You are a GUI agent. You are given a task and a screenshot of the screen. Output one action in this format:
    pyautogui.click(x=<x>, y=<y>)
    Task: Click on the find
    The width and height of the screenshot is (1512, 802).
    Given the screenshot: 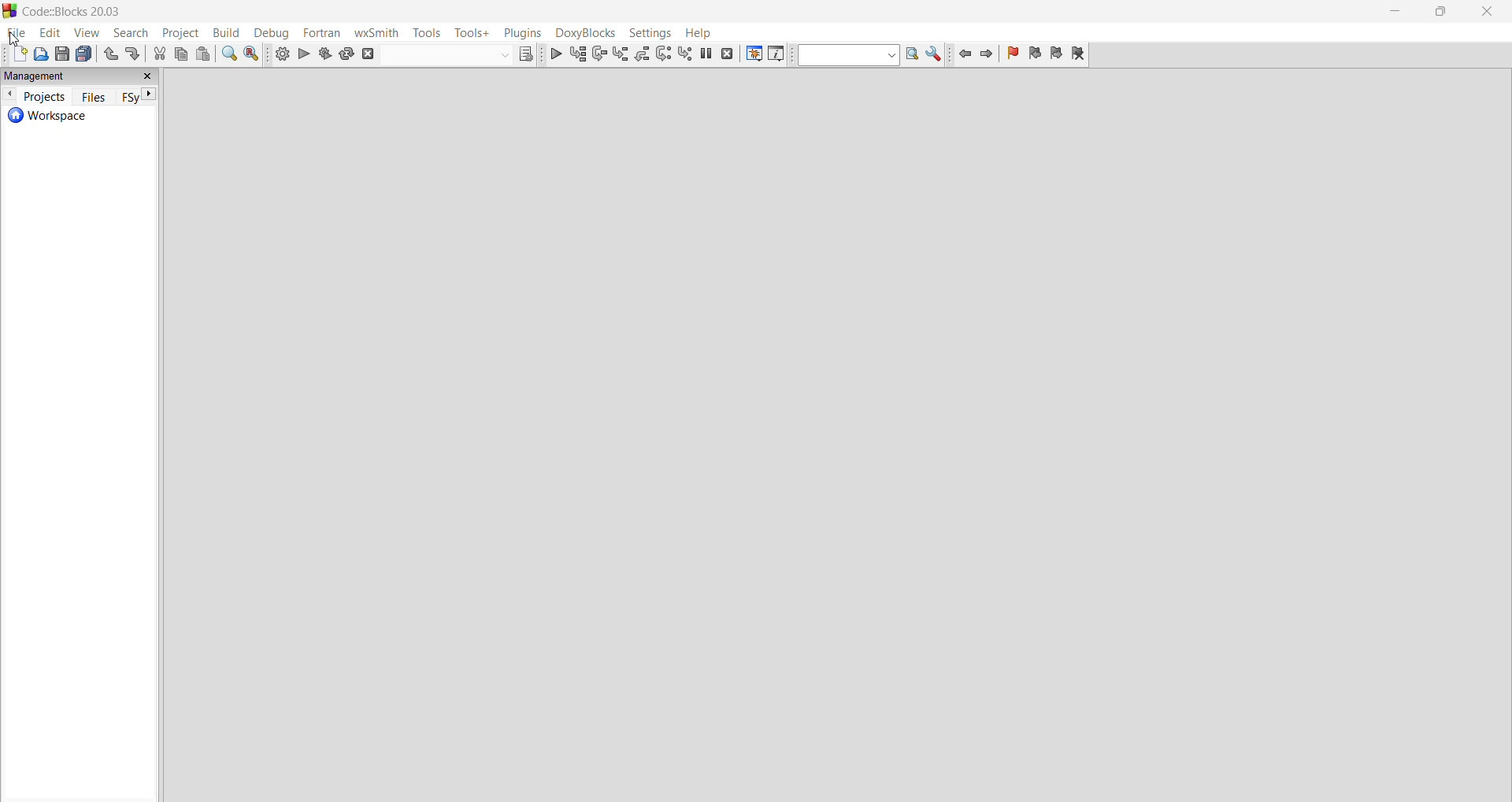 What is the action you would take?
    pyautogui.click(x=230, y=54)
    